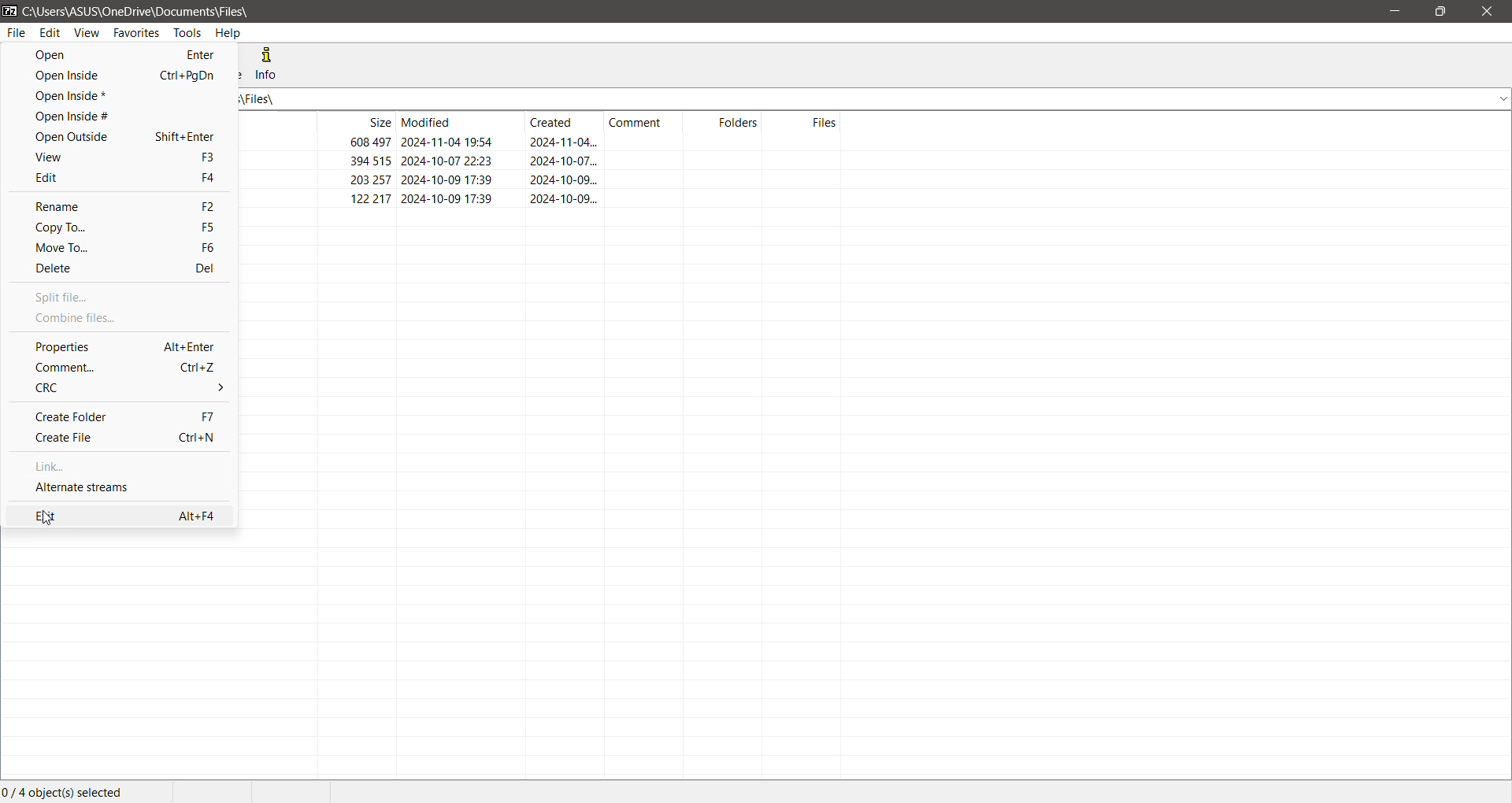  What do you see at coordinates (139, 35) in the screenshot?
I see `Favorites` at bounding box center [139, 35].